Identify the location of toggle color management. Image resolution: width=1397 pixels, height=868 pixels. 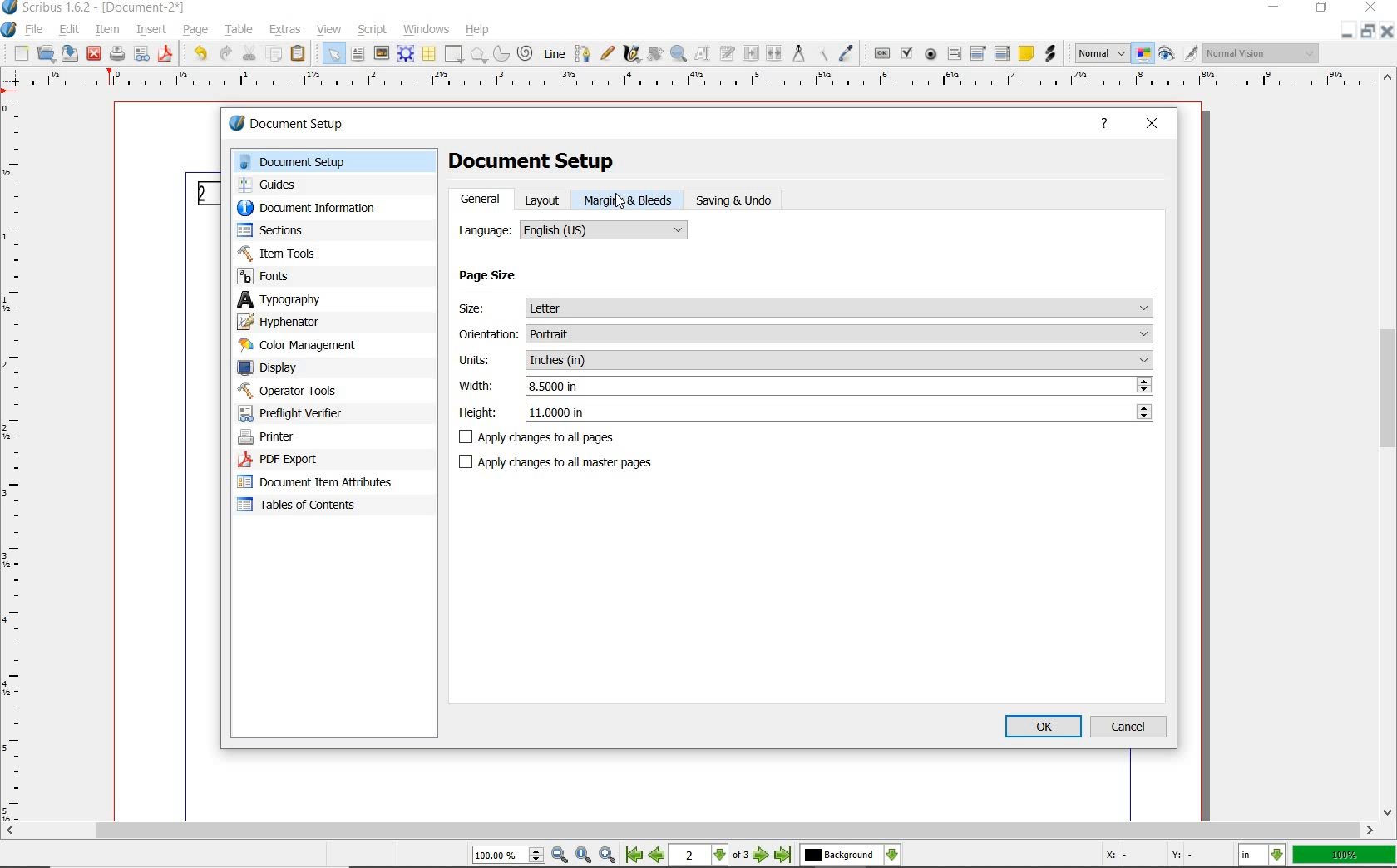
(1144, 56).